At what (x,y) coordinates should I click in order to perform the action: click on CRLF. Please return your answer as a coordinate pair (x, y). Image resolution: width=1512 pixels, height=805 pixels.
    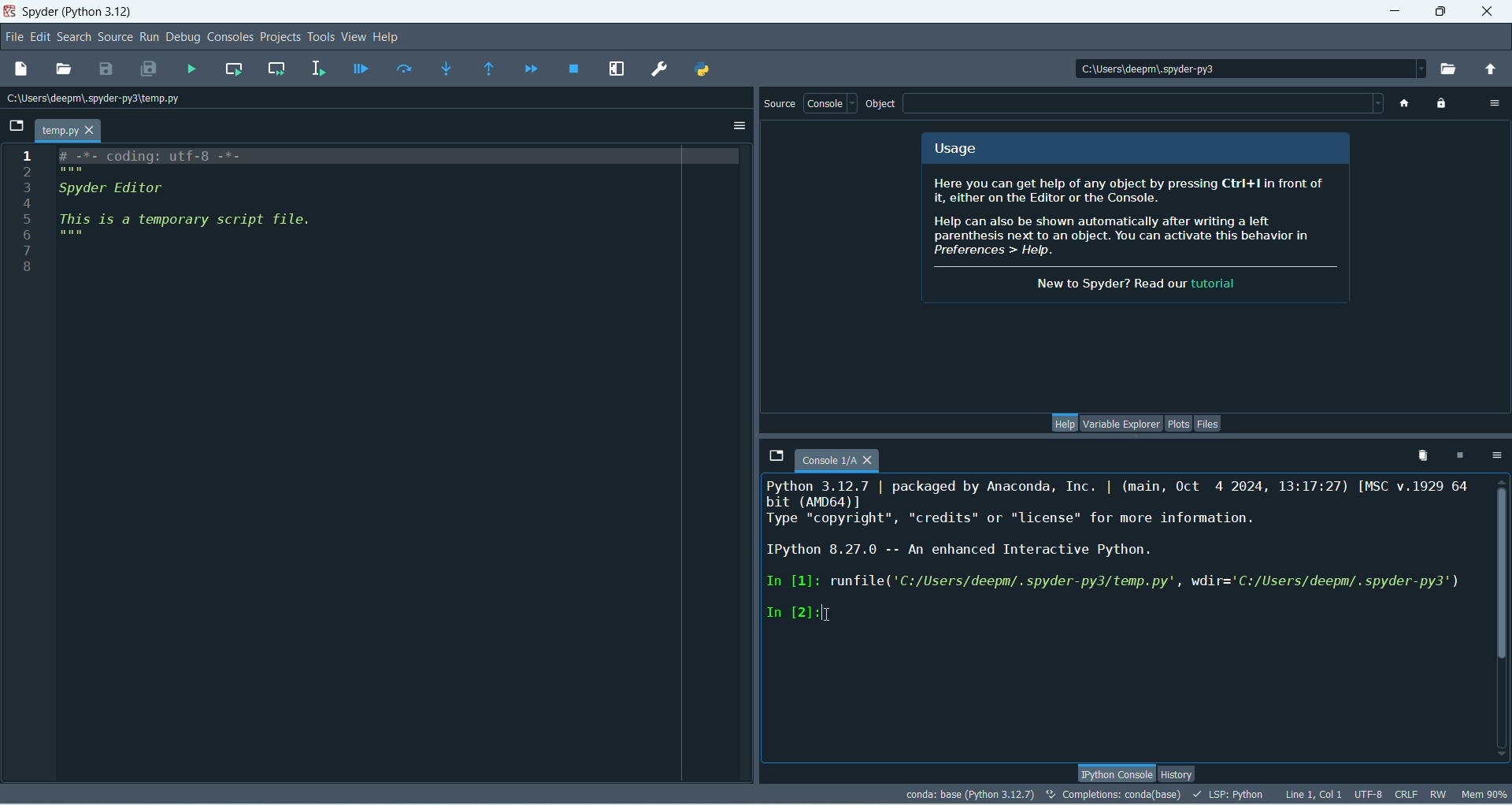
    Looking at the image, I should click on (1406, 794).